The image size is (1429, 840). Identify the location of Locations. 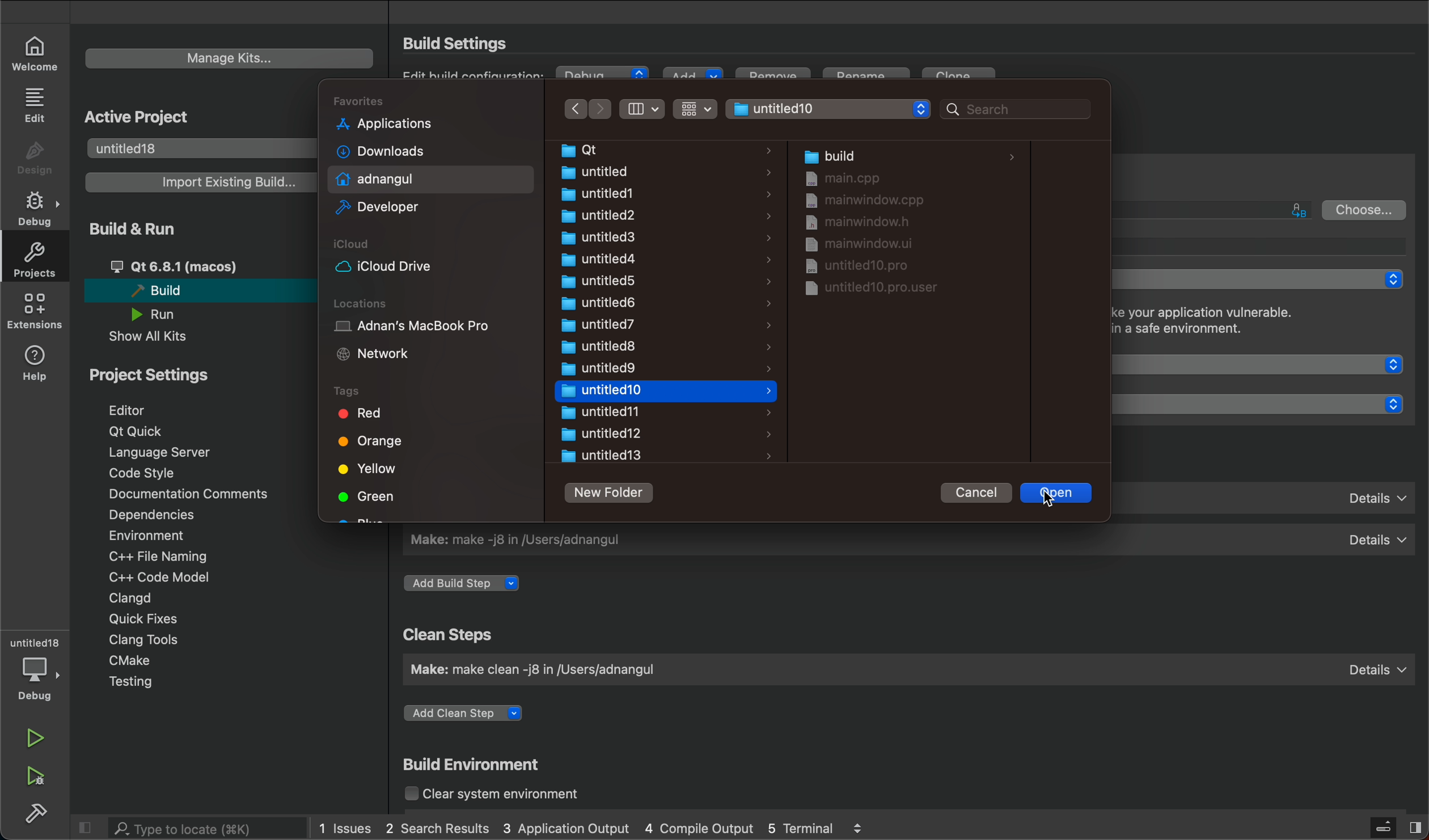
(362, 303).